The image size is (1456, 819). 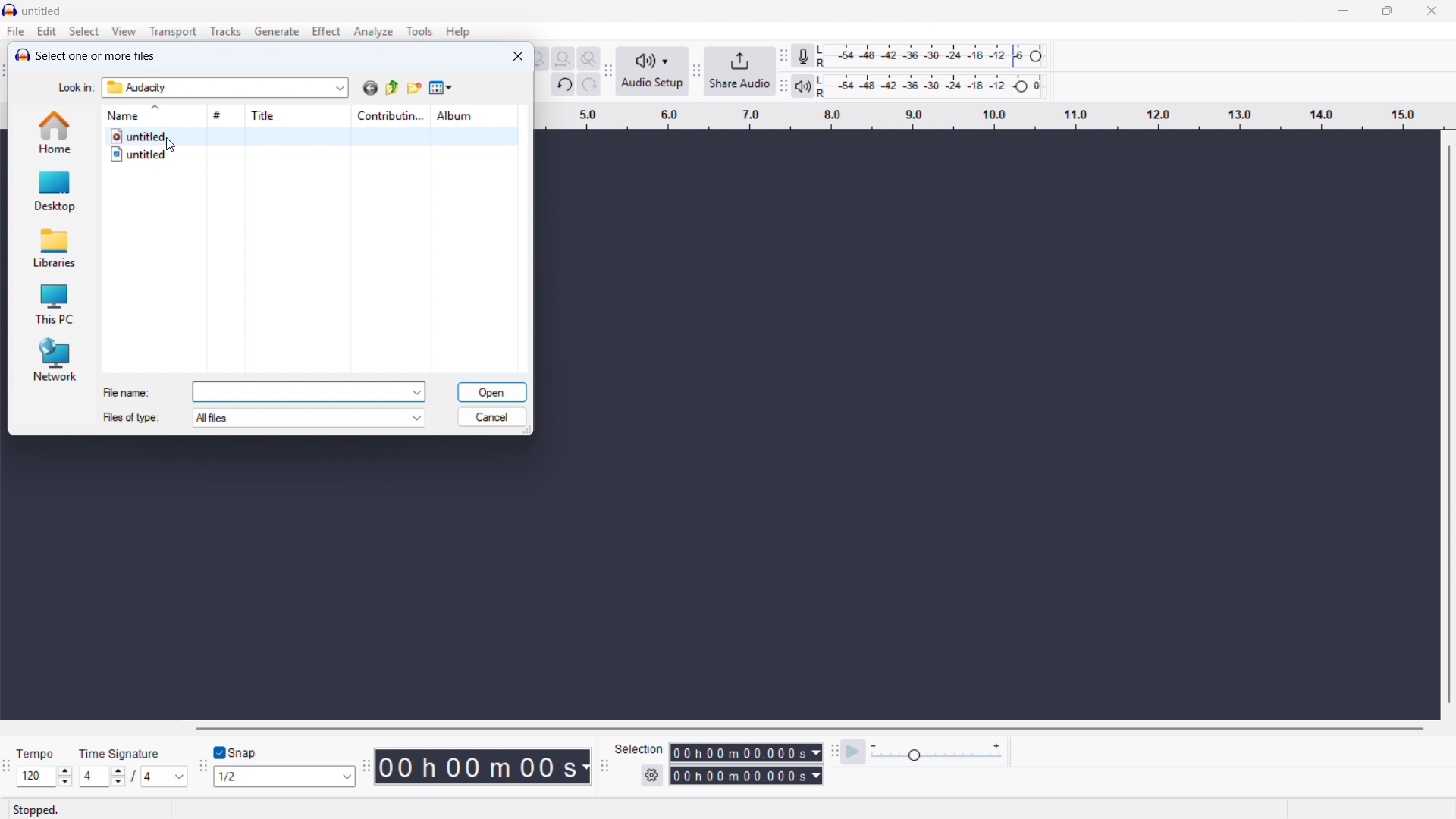 I want to click on Set time signature , so click(x=134, y=777).